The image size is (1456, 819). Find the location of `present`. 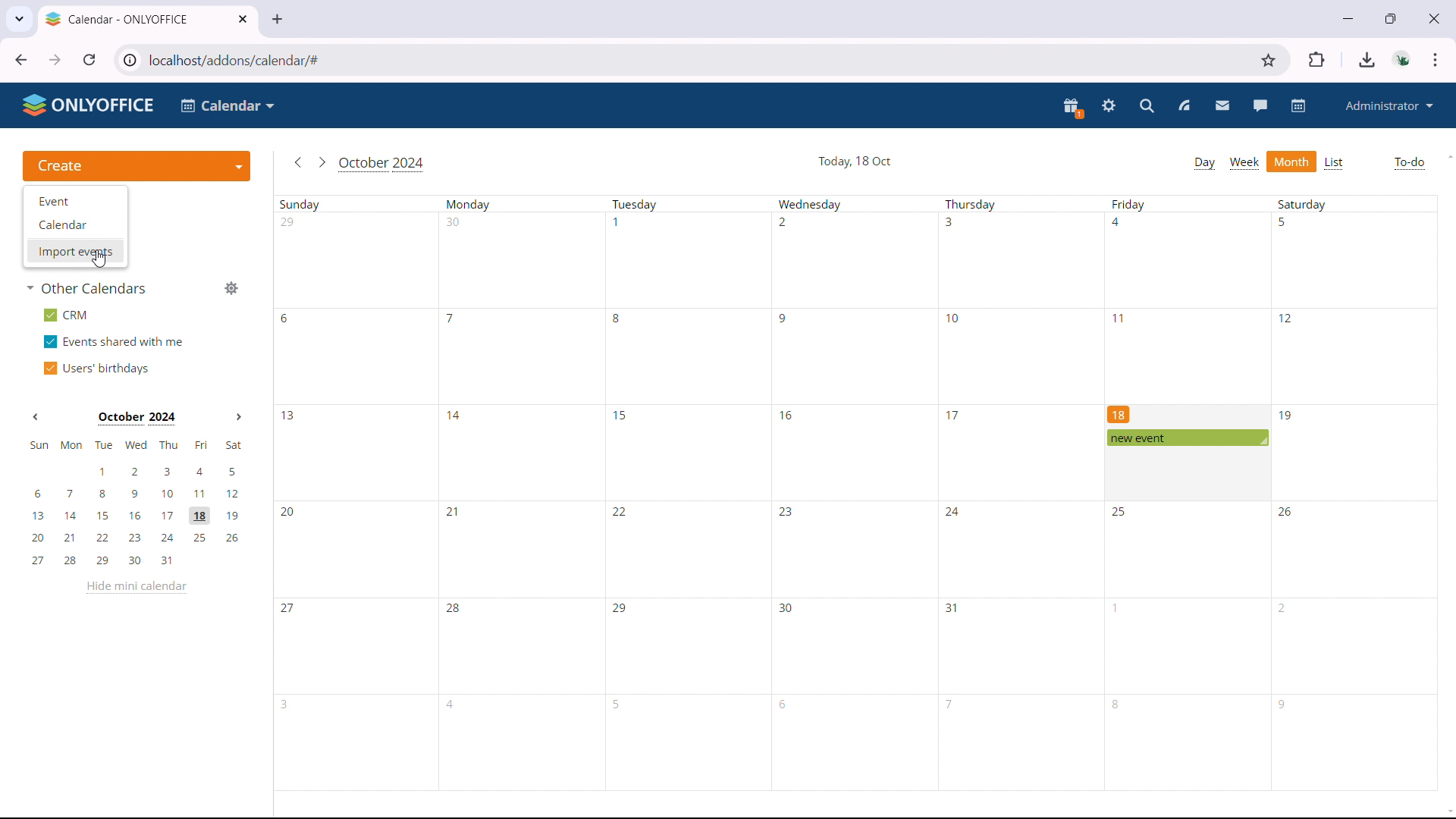

present is located at coordinates (1073, 108).